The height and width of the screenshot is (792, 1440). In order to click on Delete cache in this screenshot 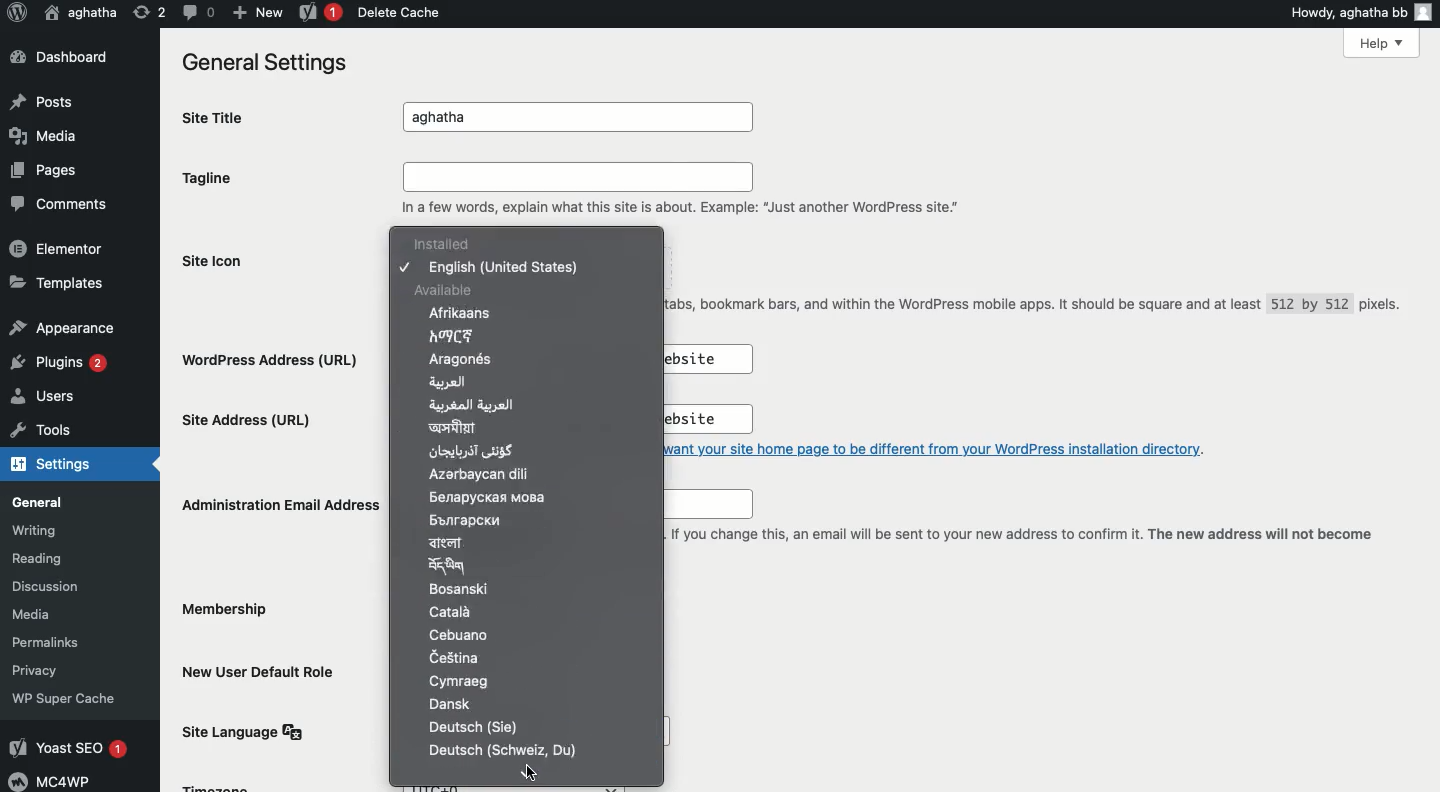, I will do `click(396, 12)`.